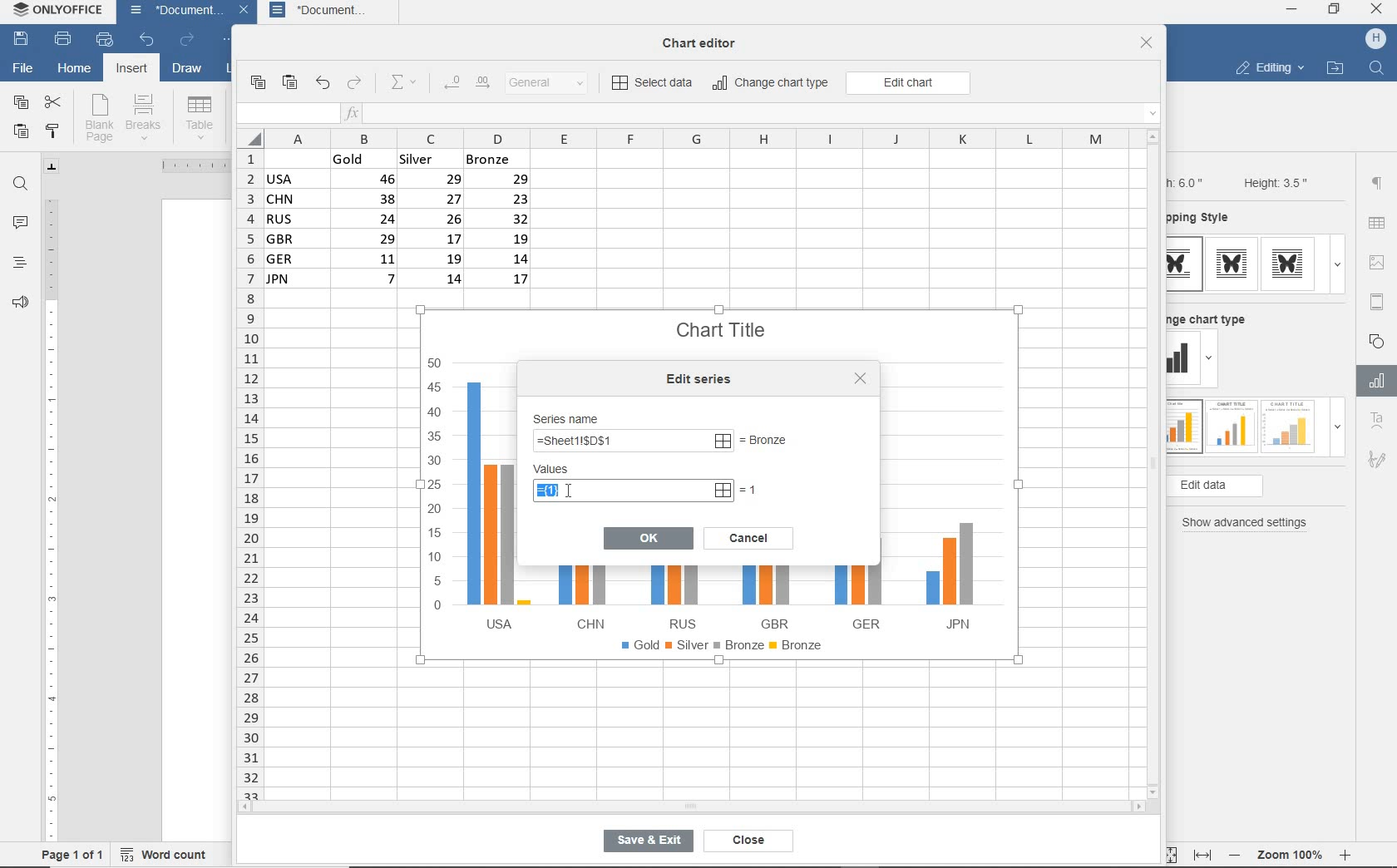 The height and width of the screenshot is (868, 1397). Describe the element at coordinates (1158, 463) in the screenshot. I see `vertical scroll bar` at that location.